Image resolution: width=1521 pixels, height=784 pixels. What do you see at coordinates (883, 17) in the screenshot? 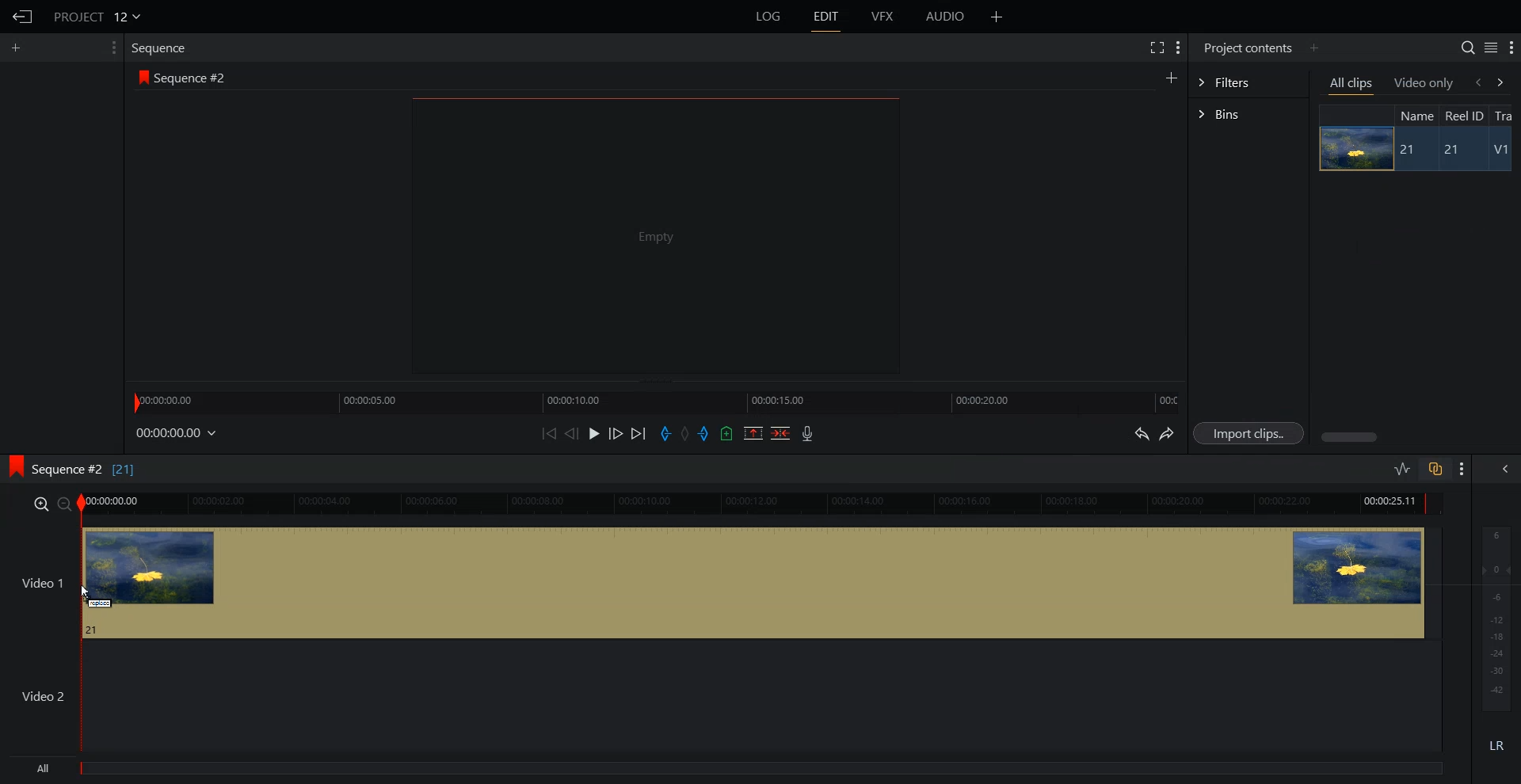
I see `VFX` at bounding box center [883, 17].